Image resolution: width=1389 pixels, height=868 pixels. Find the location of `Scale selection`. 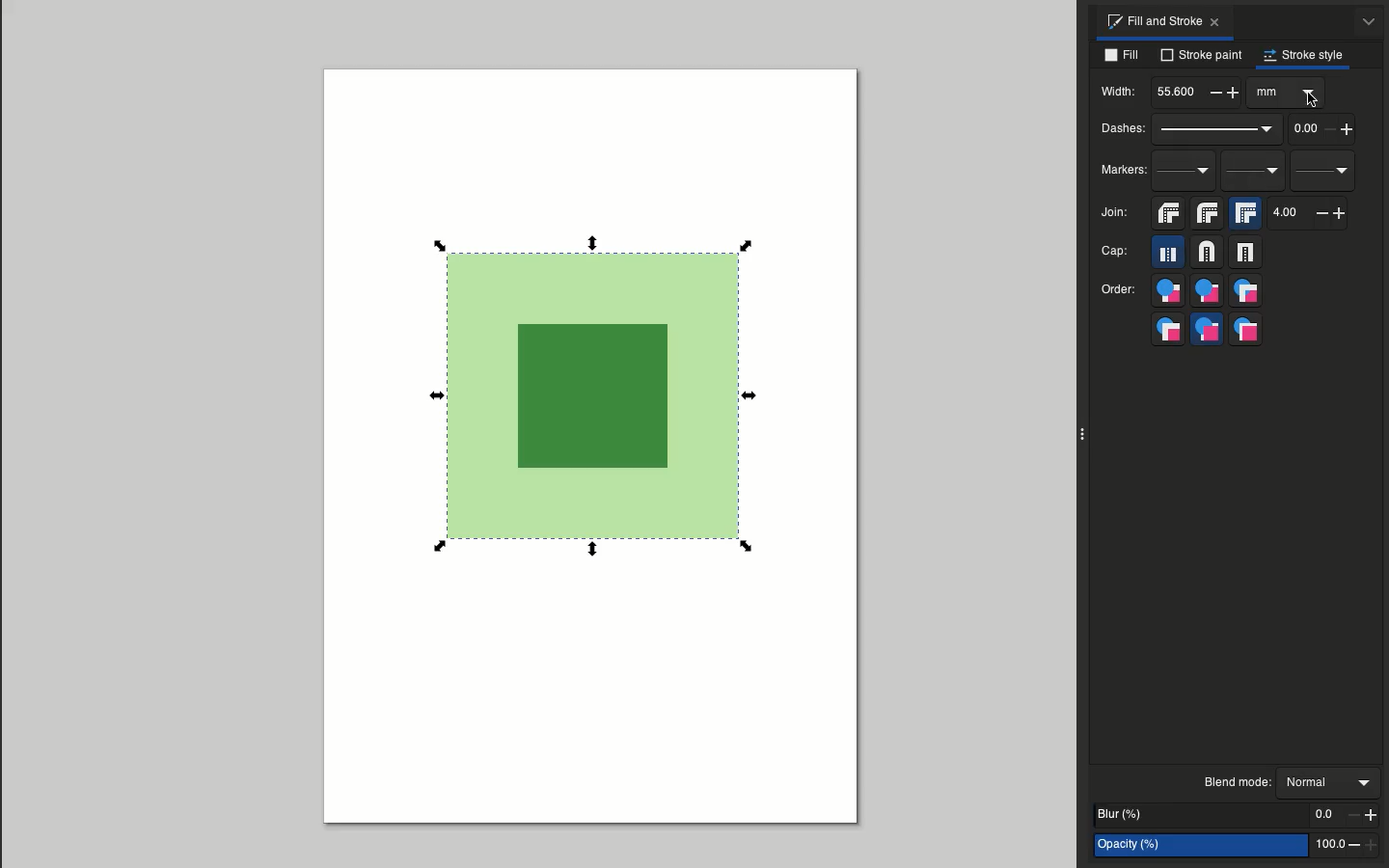

Scale selection is located at coordinates (752, 550).